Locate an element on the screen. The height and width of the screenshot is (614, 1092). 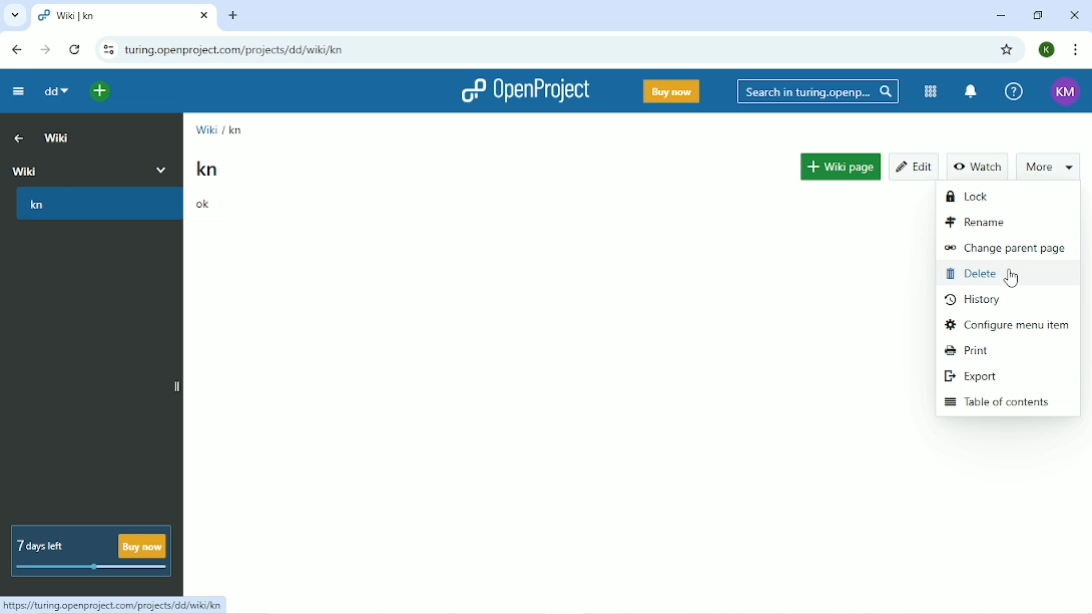
Reload this page is located at coordinates (73, 49).